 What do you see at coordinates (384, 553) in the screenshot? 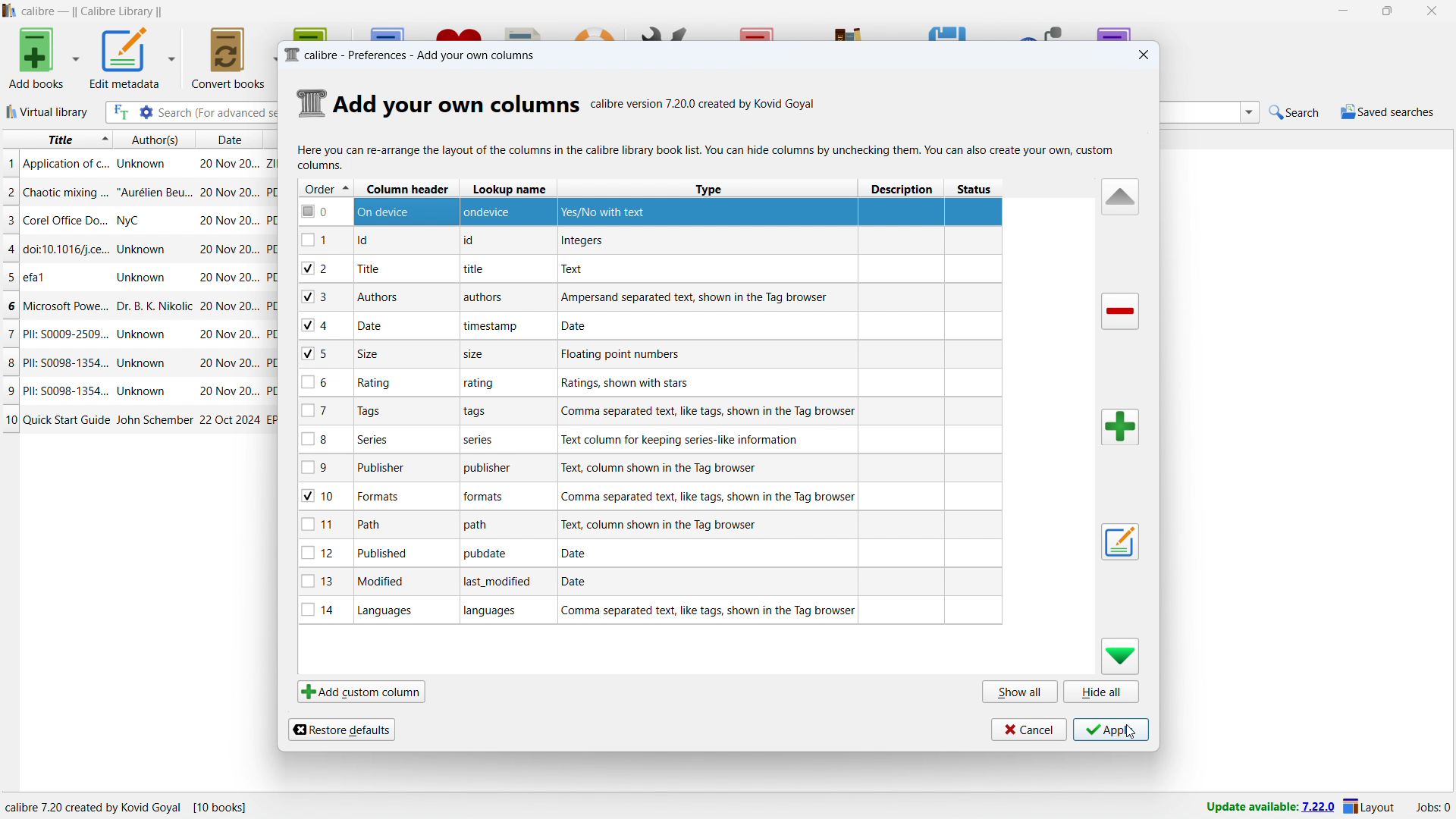
I see `published` at bounding box center [384, 553].